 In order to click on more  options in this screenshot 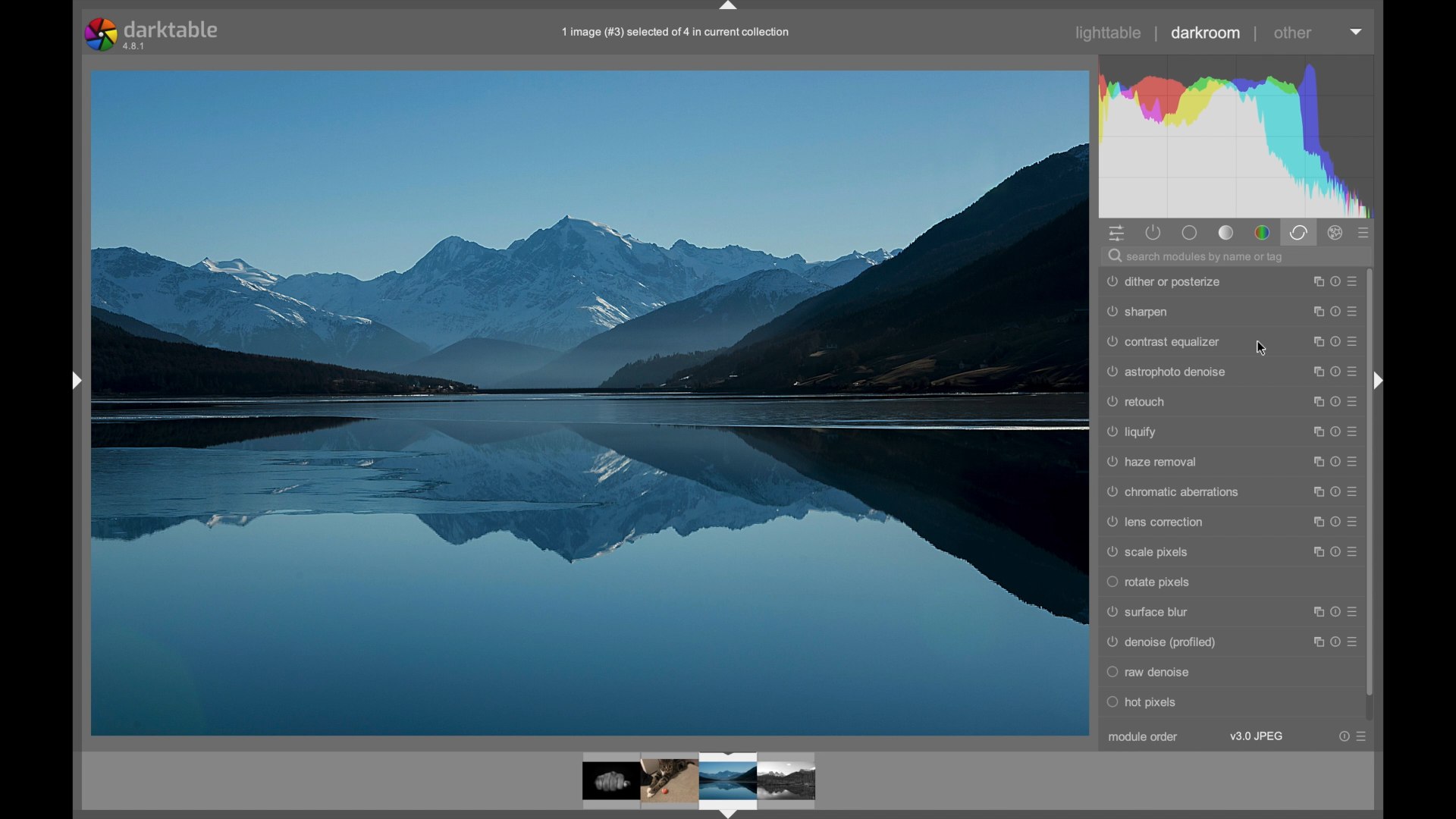, I will do `click(1334, 431)`.